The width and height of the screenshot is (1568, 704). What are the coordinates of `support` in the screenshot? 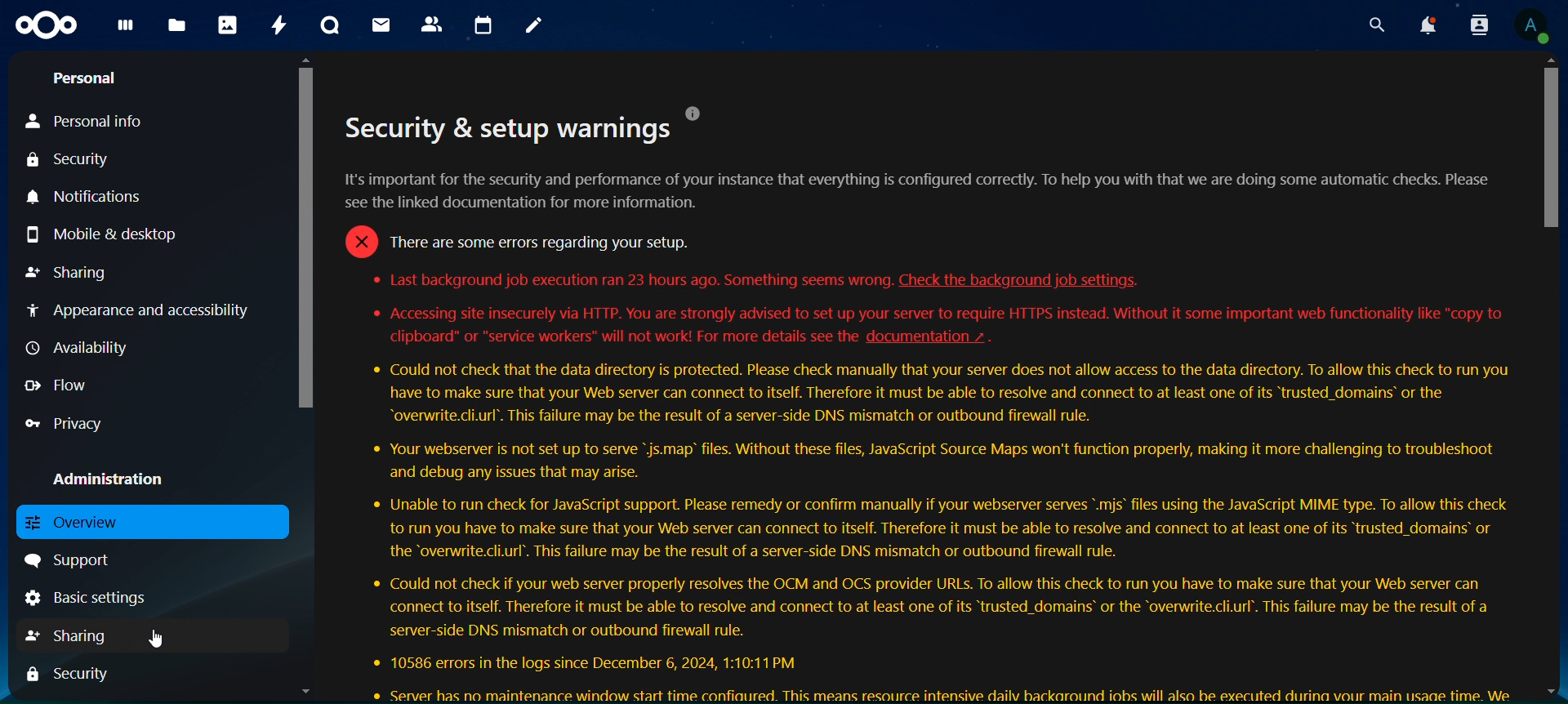 It's located at (74, 561).